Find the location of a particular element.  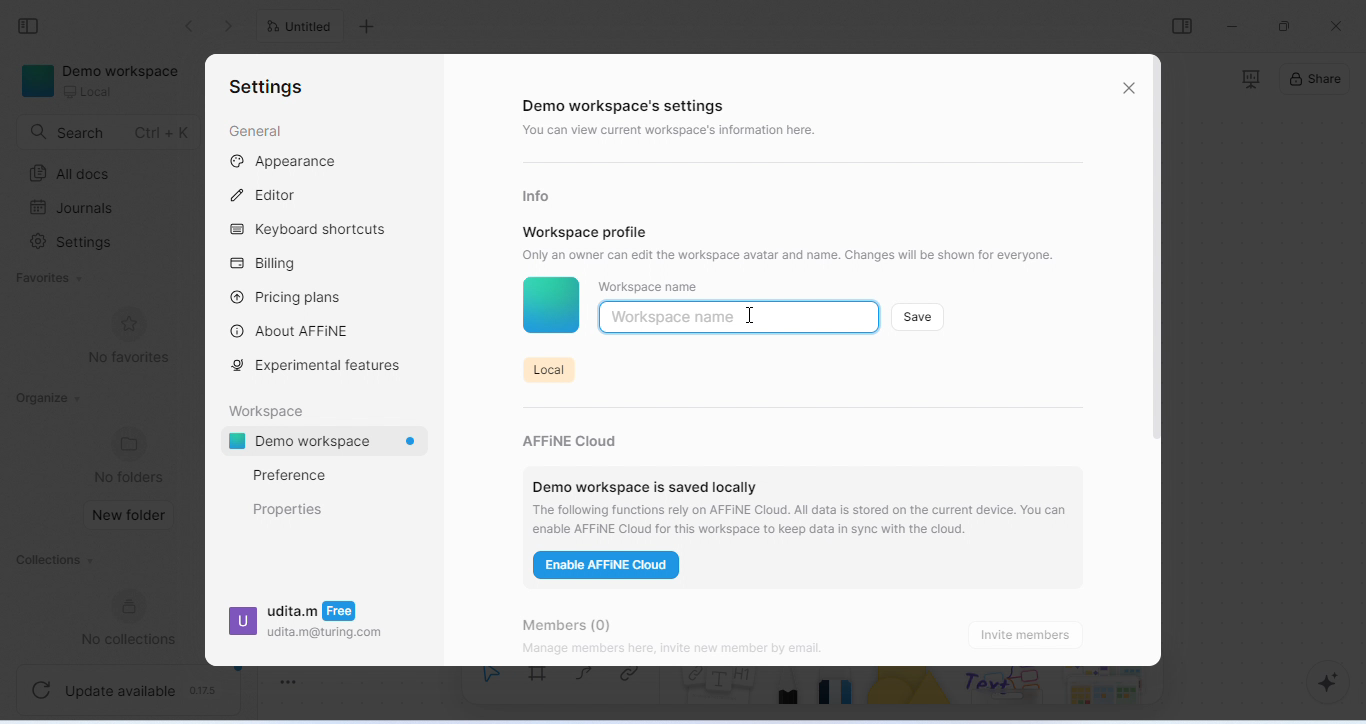

cursor is located at coordinates (751, 314).